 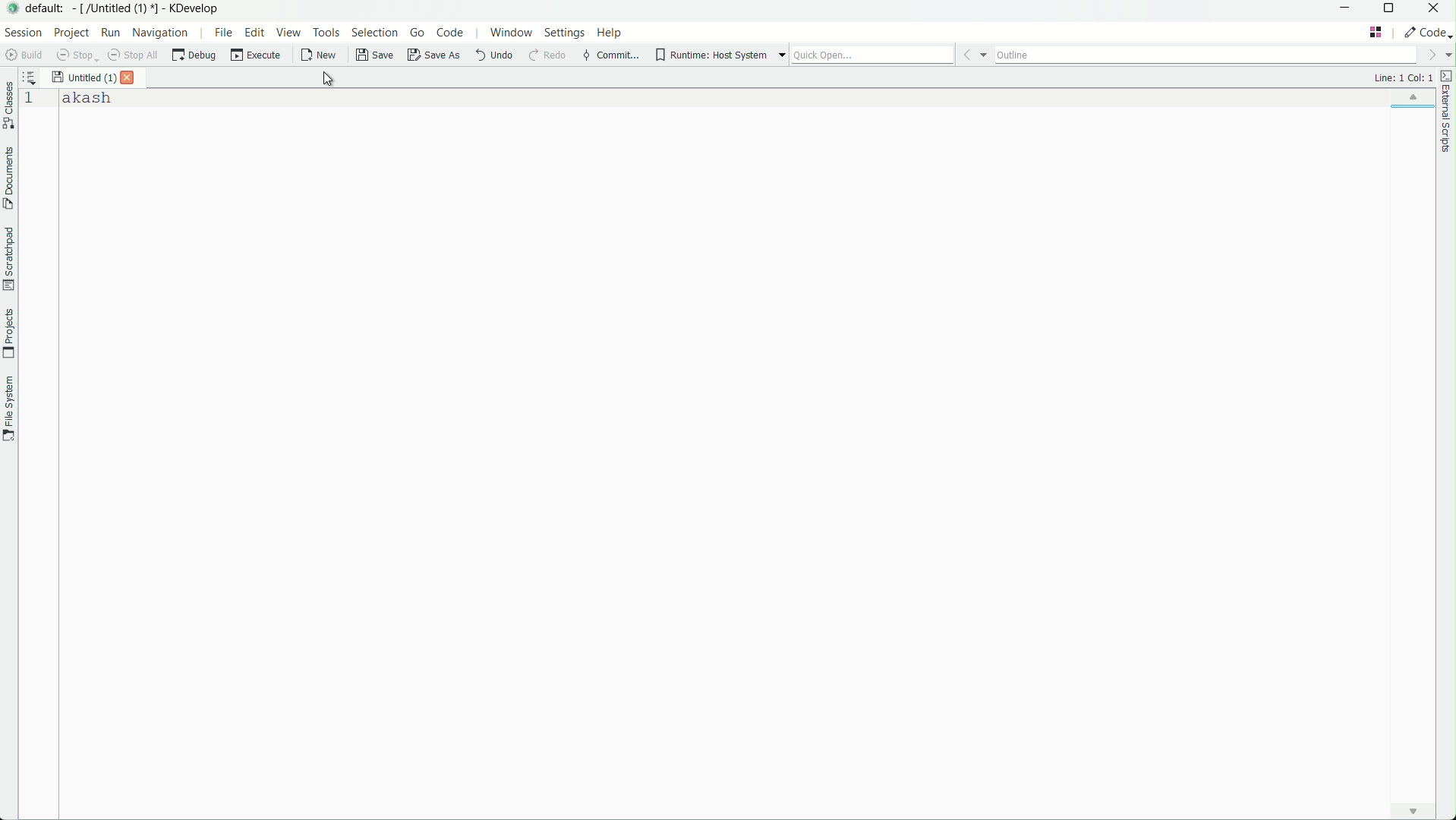 What do you see at coordinates (418, 33) in the screenshot?
I see `go` at bounding box center [418, 33].